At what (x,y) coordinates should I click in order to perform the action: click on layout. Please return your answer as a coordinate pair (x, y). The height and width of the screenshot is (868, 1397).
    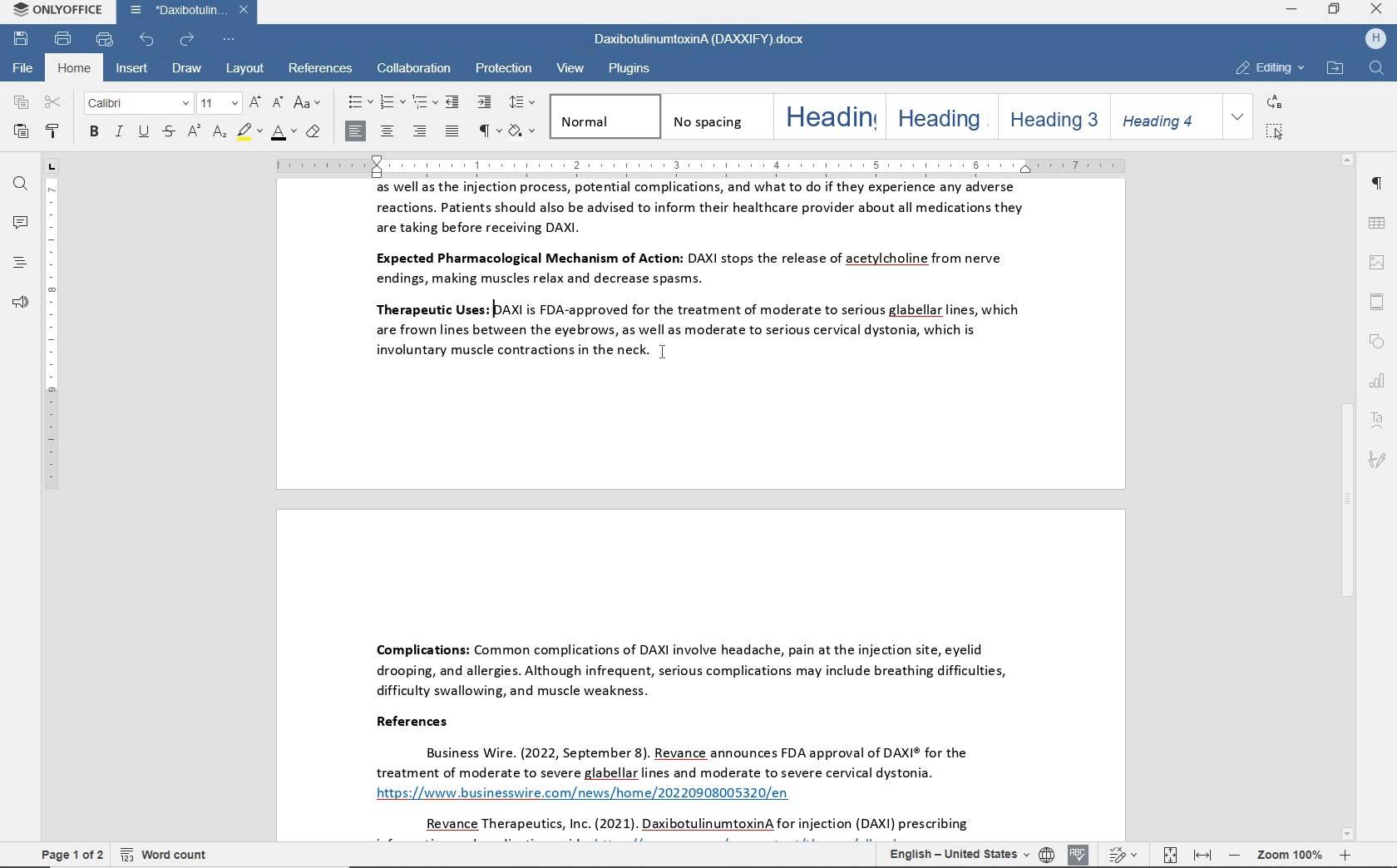
    Looking at the image, I should click on (244, 69).